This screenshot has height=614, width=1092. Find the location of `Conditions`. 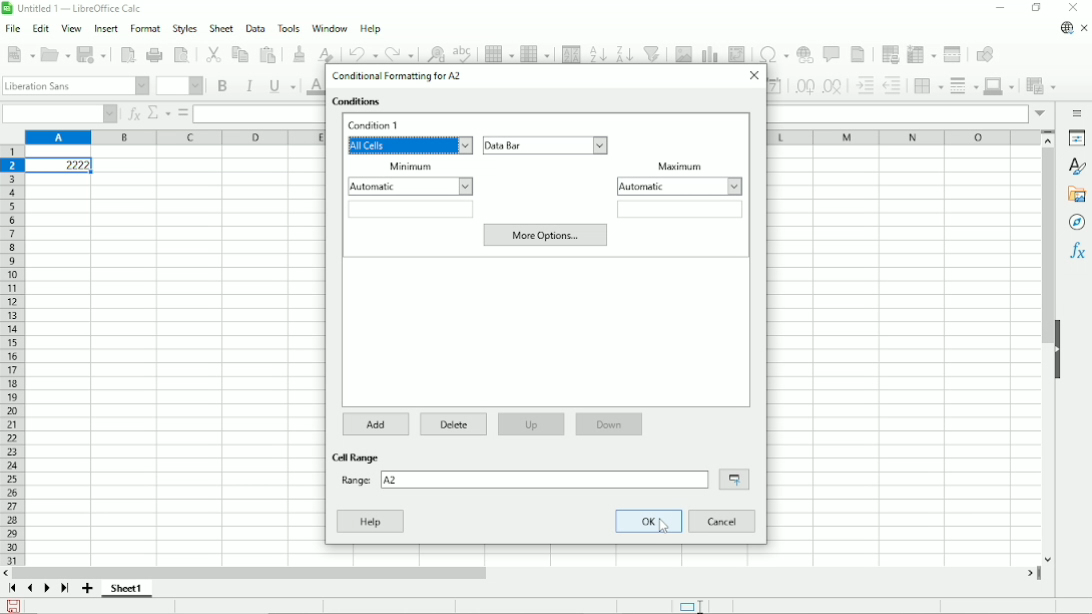

Conditions is located at coordinates (359, 102).